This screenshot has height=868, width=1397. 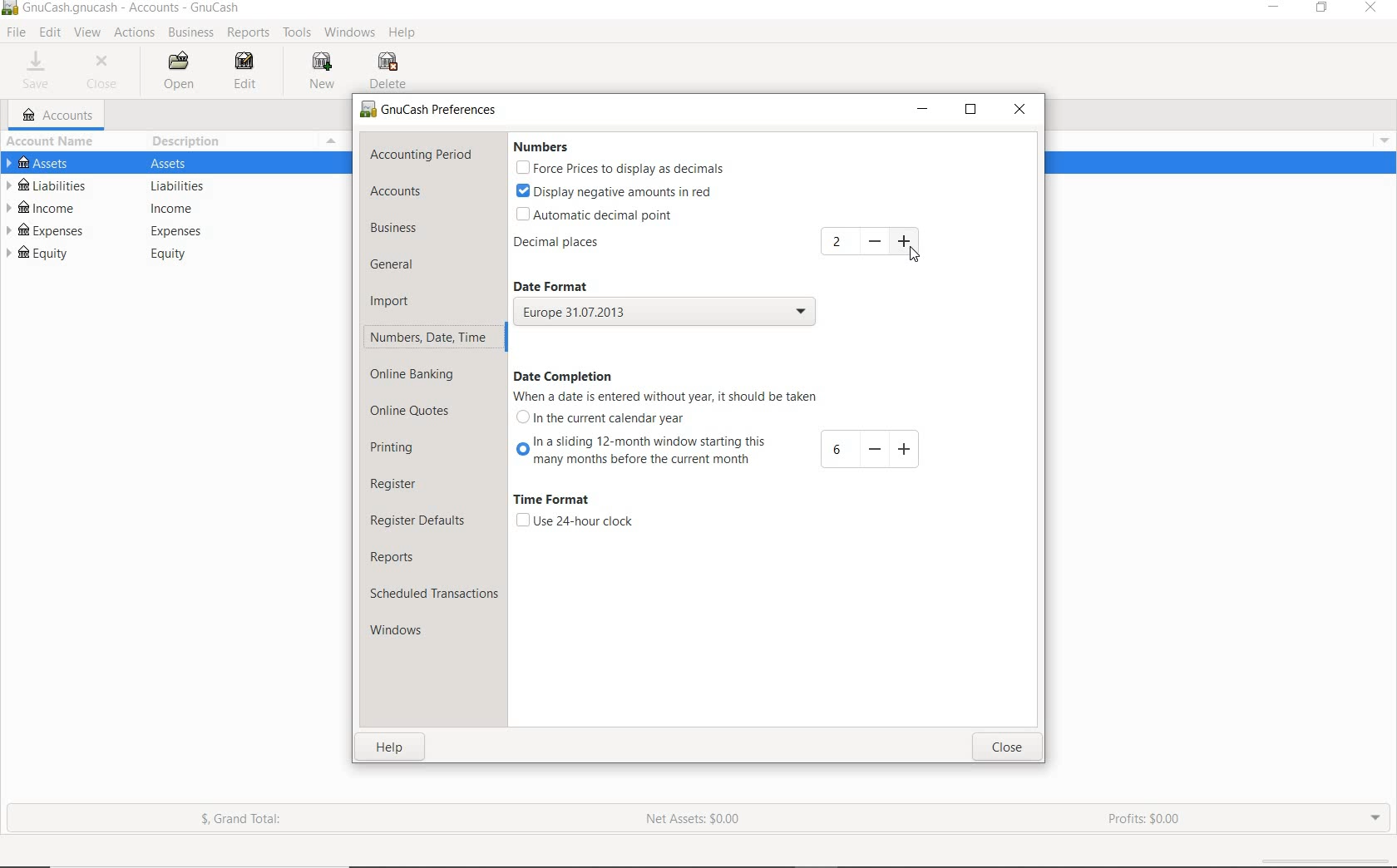 I want to click on SYSTEM NAME, so click(x=9, y=9).